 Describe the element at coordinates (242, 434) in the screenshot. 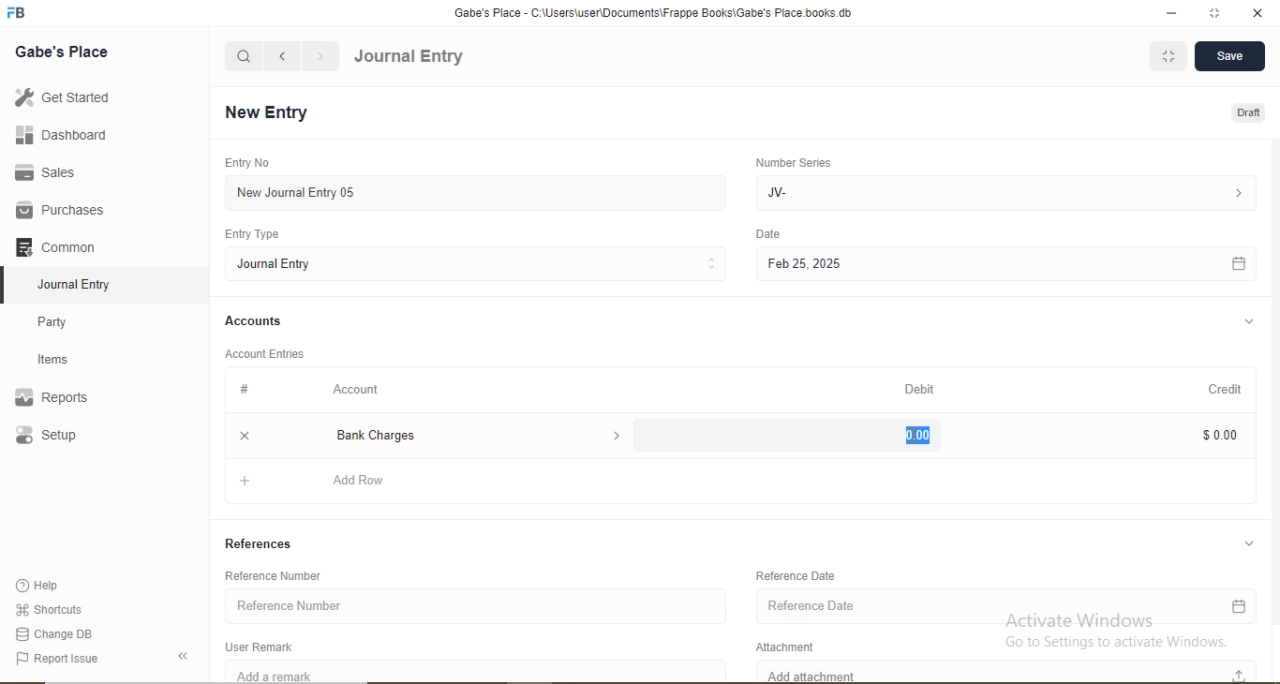

I see `close` at that location.